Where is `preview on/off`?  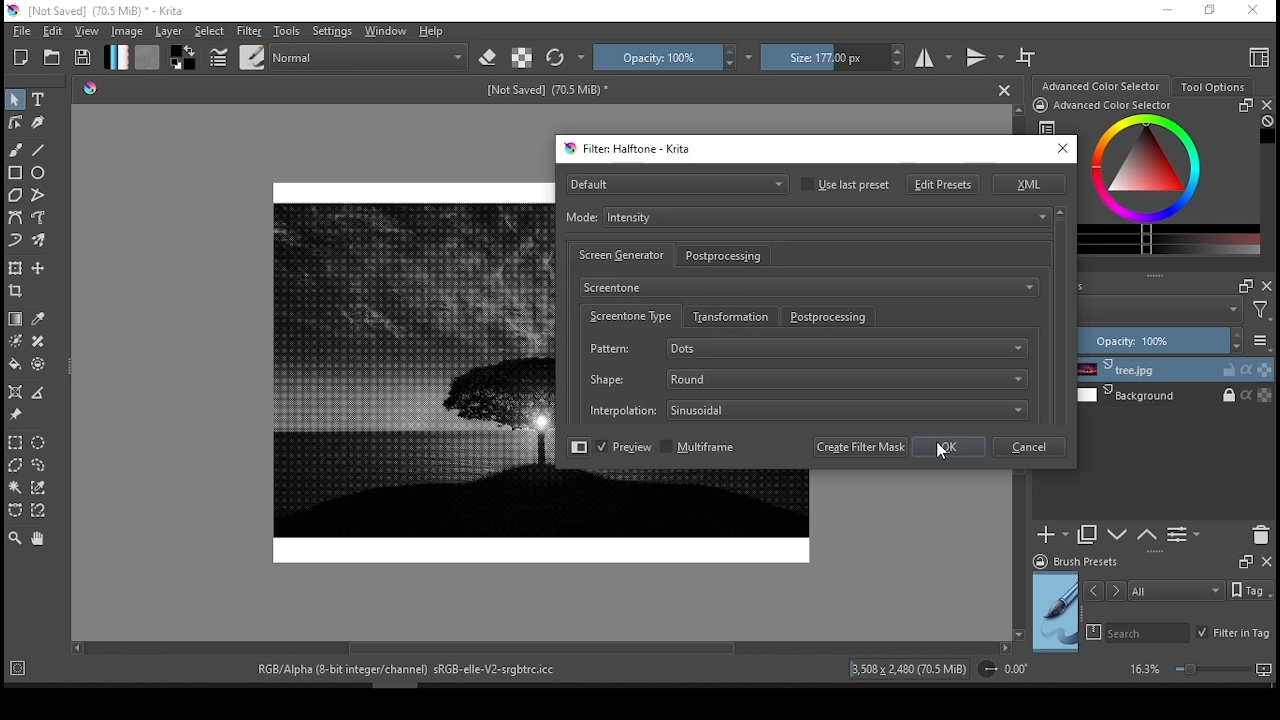
preview on/off is located at coordinates (623, 447).